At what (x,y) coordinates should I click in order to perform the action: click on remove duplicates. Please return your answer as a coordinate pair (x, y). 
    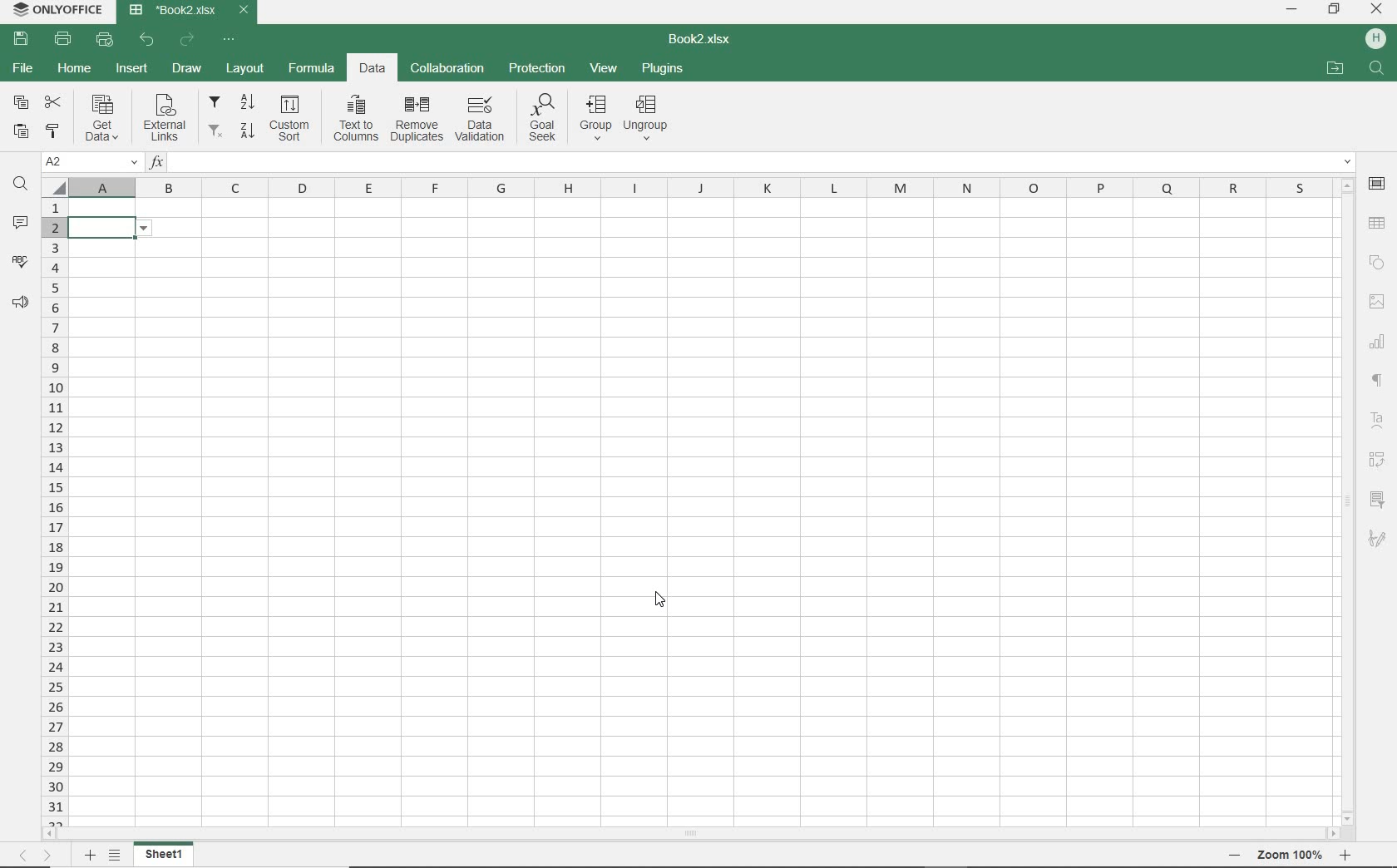
    Looking at the image, I should click on (418, 116).